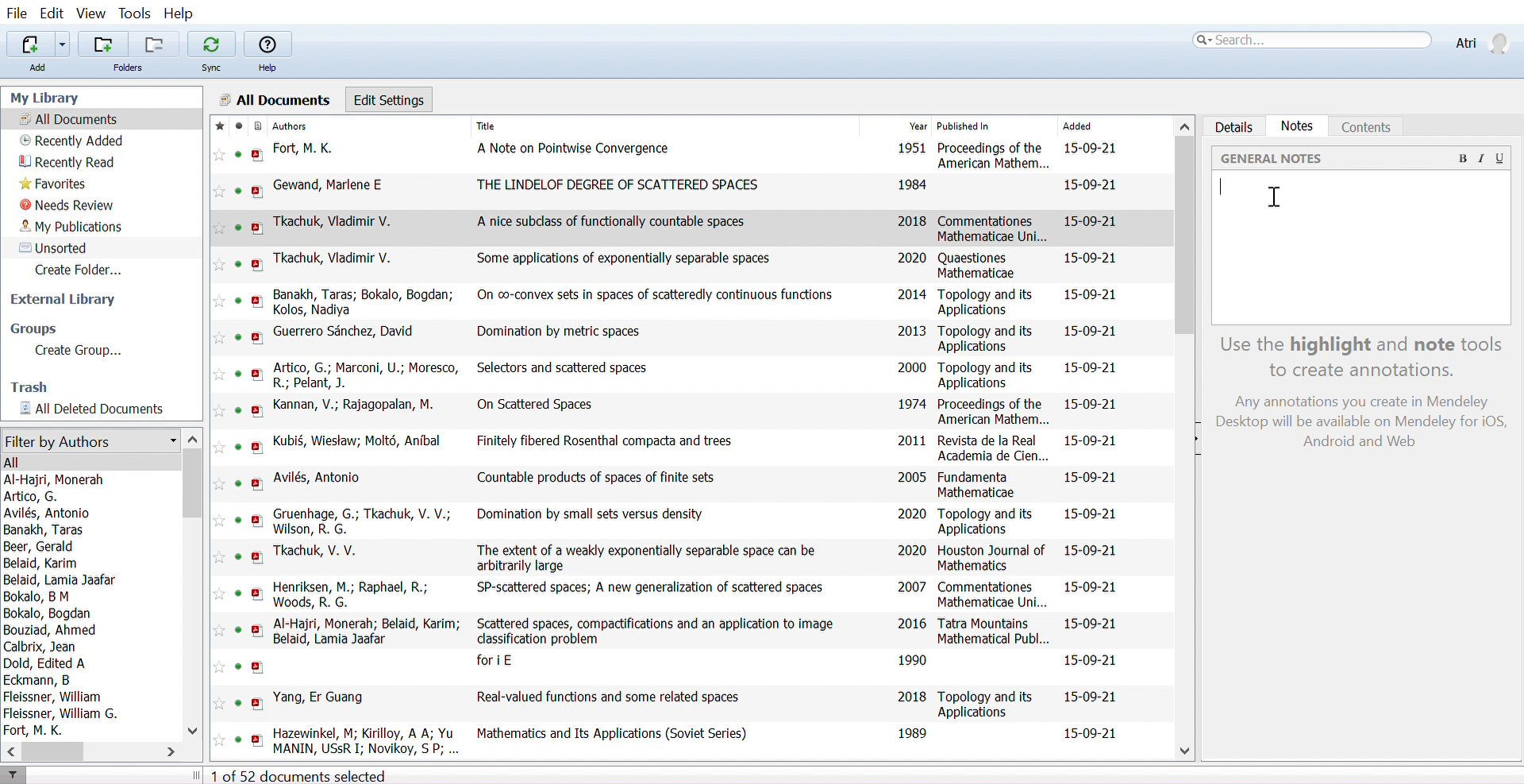 Image resolution: width=1524 pixels, height=784 pixels. I want to click on Add this reference to favorites, so click(220, 410).